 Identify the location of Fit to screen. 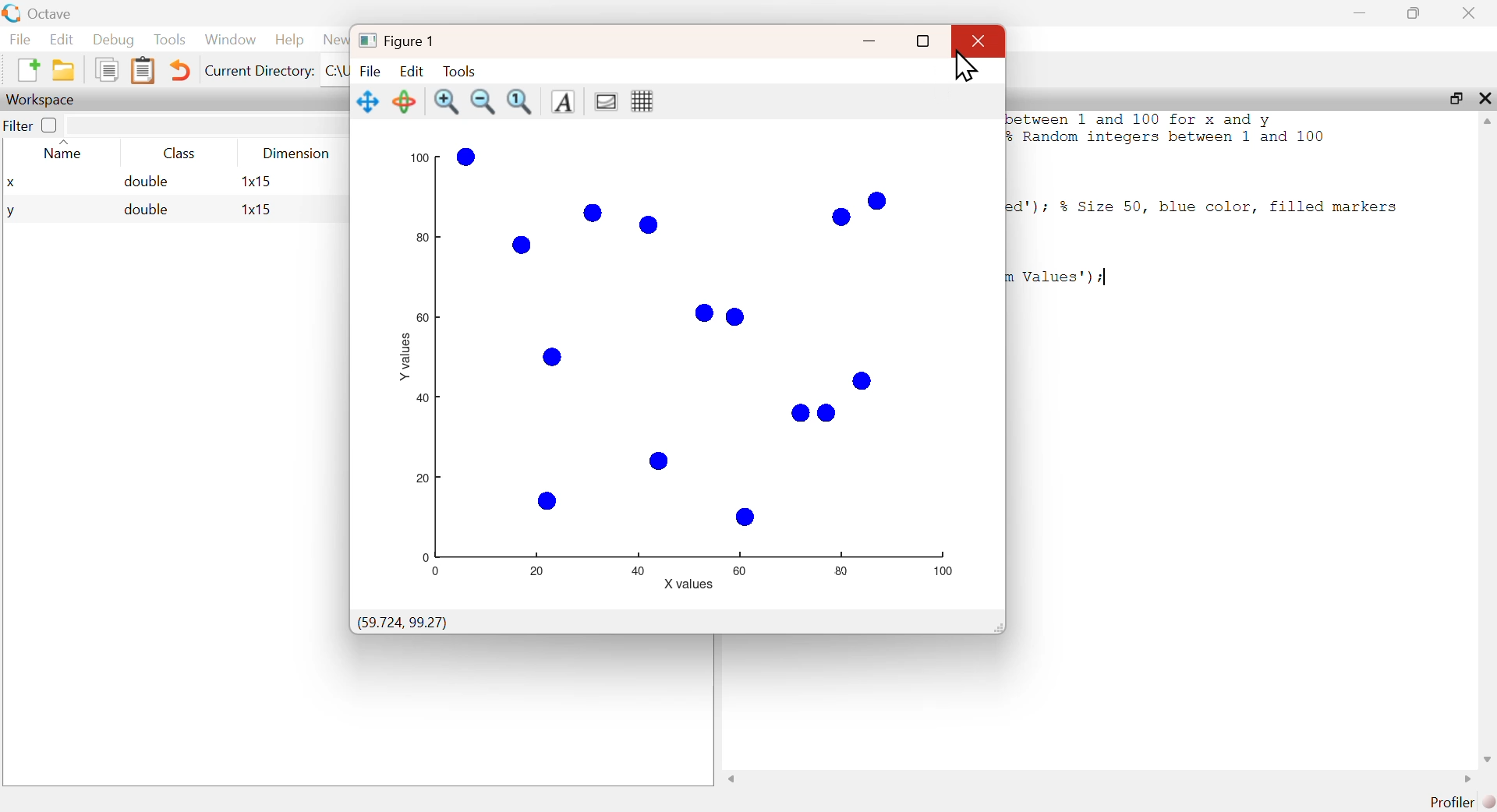
(521, 102).